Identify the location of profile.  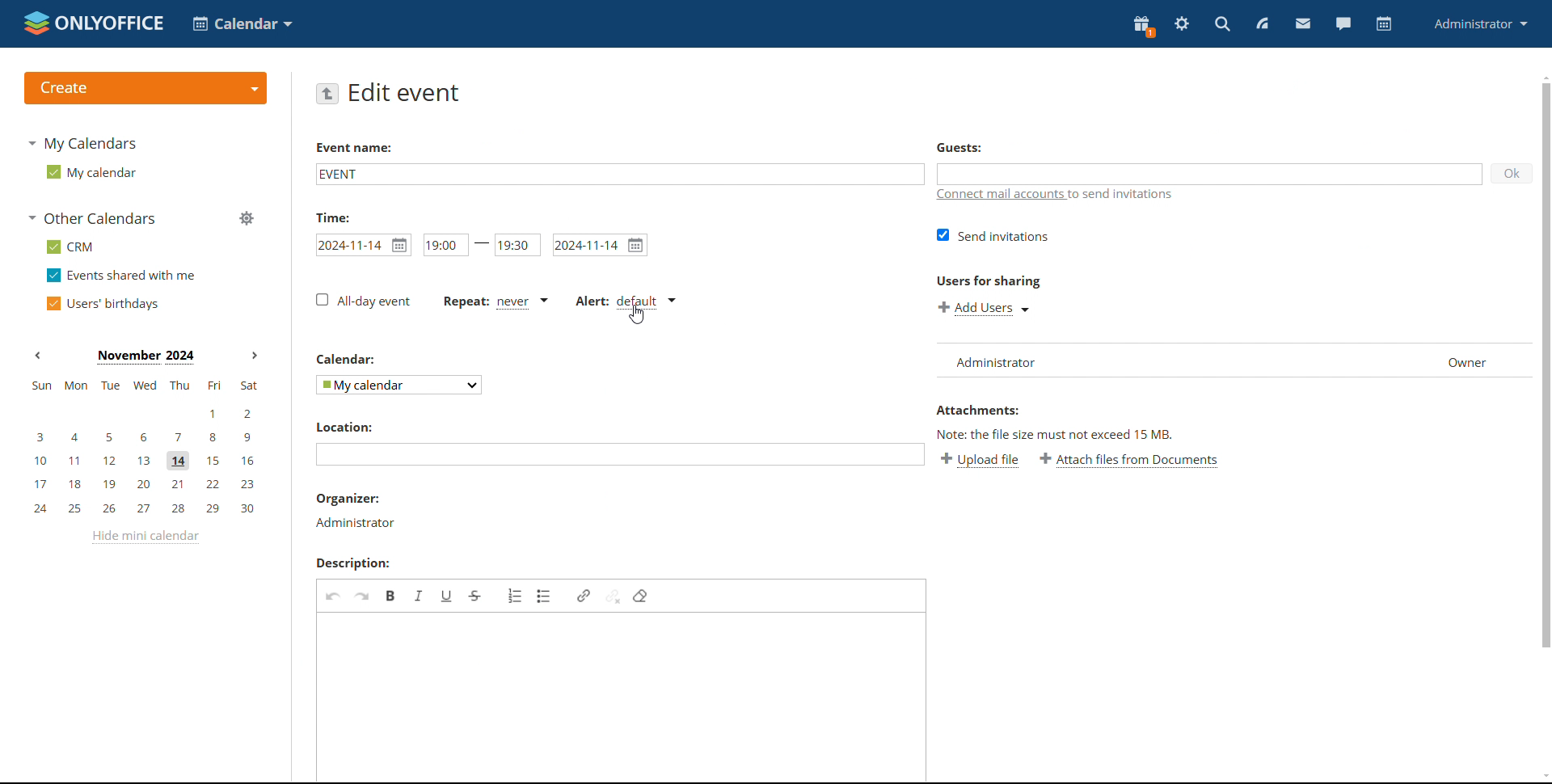
(1481, 23).